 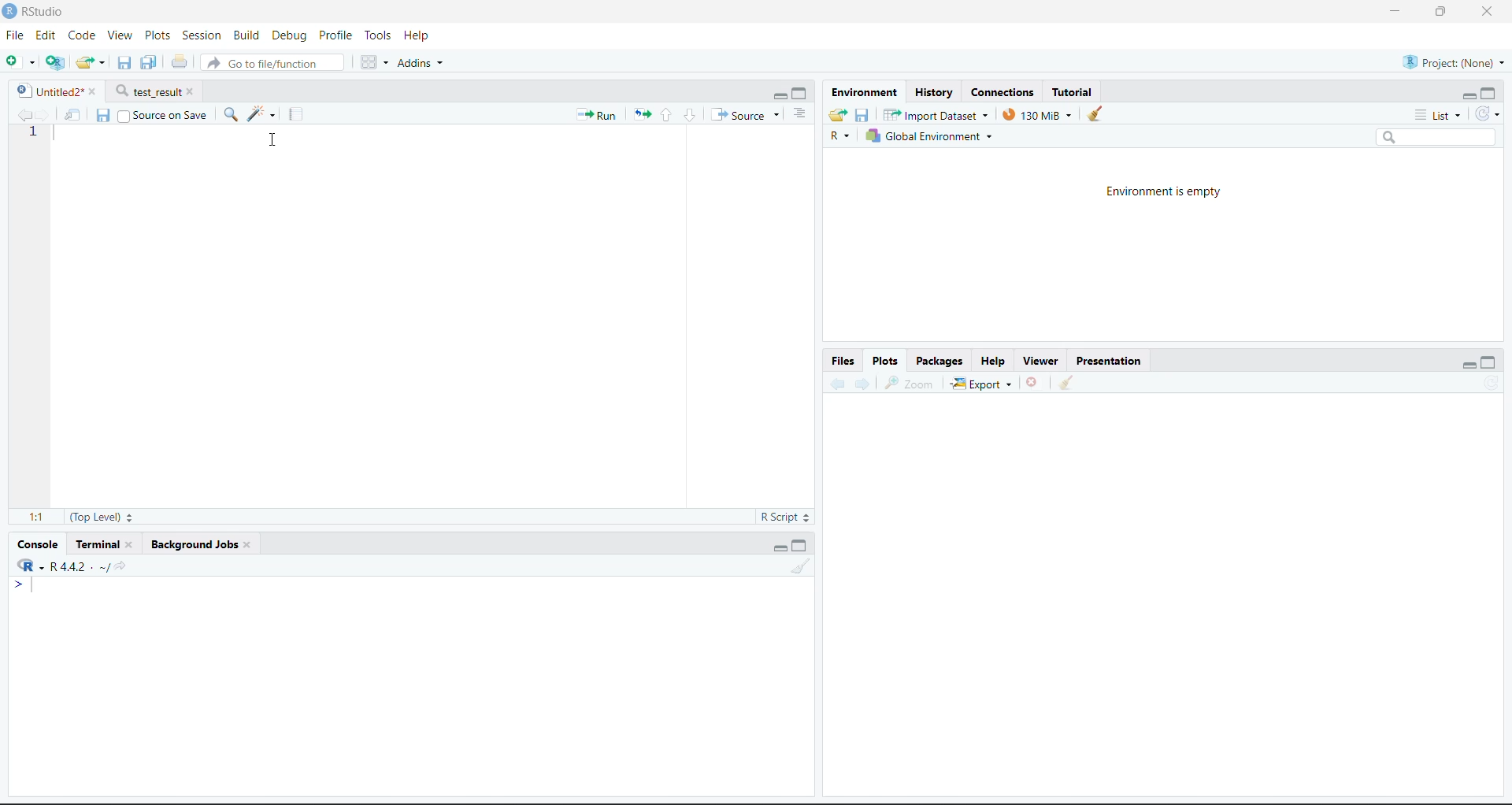 What do you see at coordinates (836, 116) in the screenshot?
I see `Load workspace` at bounding box center [836, 116].